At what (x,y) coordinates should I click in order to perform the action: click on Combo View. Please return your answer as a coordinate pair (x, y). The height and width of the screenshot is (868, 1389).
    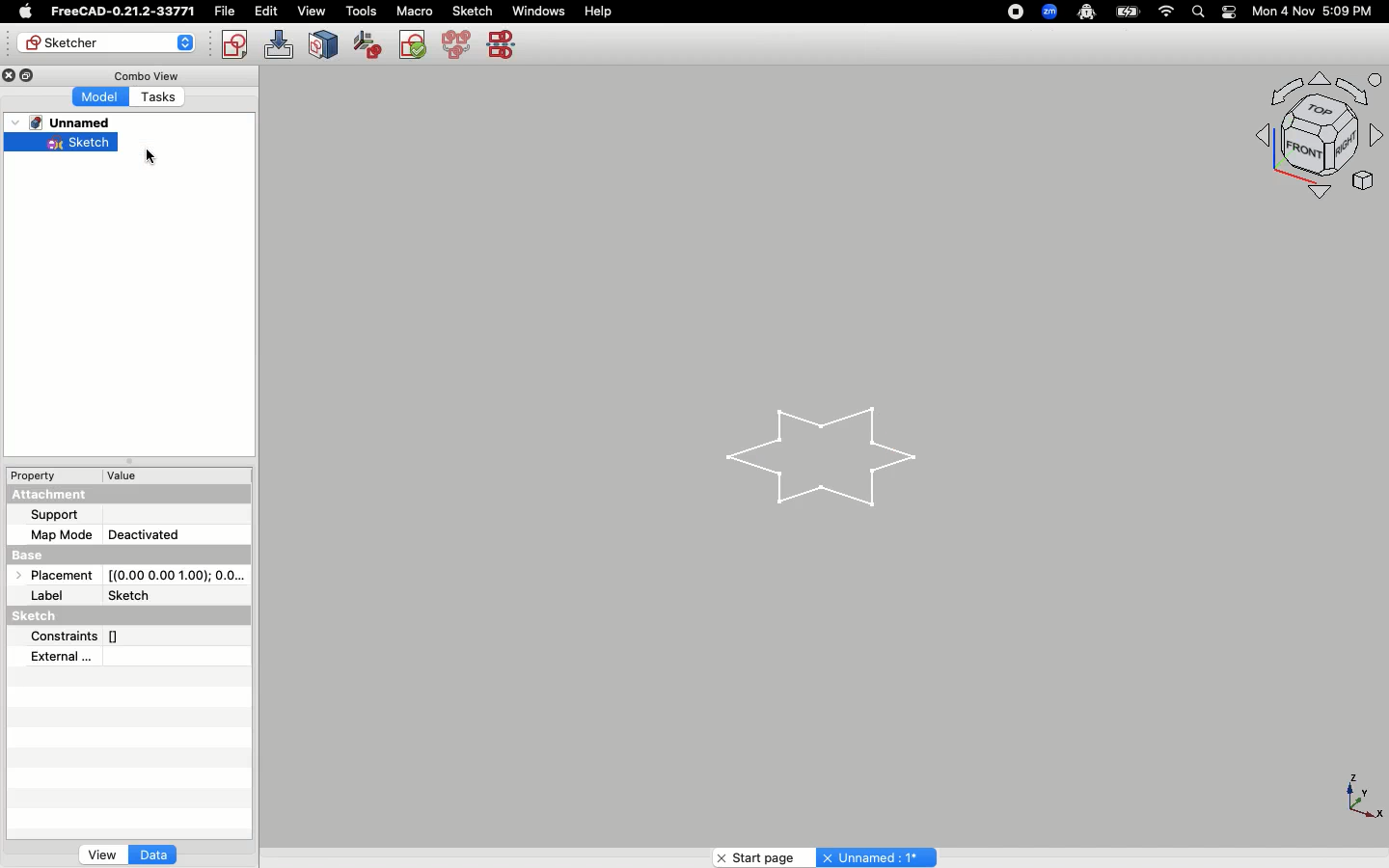
    Looking at the image, I should click on (146, 74).